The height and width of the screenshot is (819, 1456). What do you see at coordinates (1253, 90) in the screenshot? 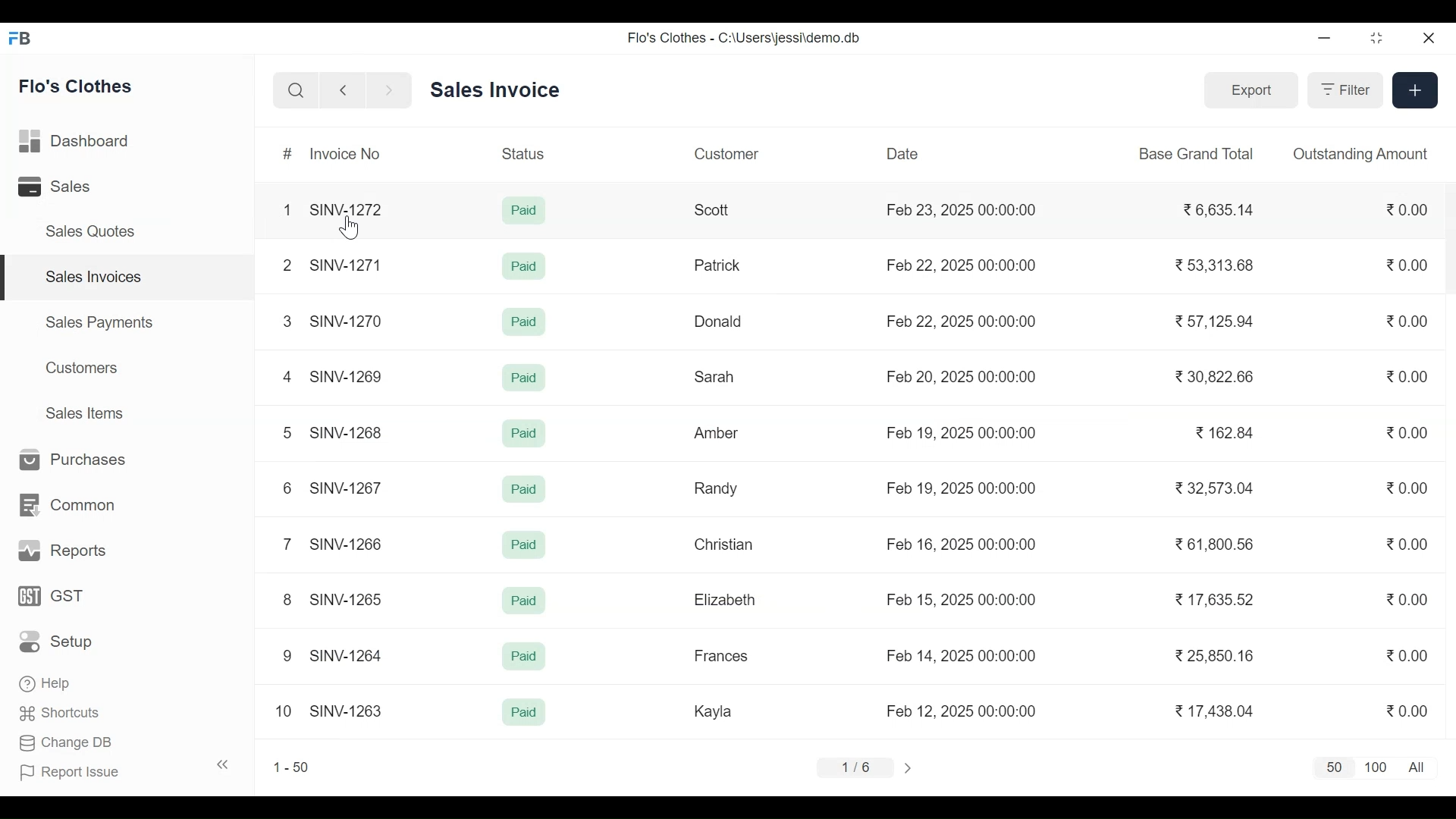
I see `Export` at bounding box center [1253, 90].